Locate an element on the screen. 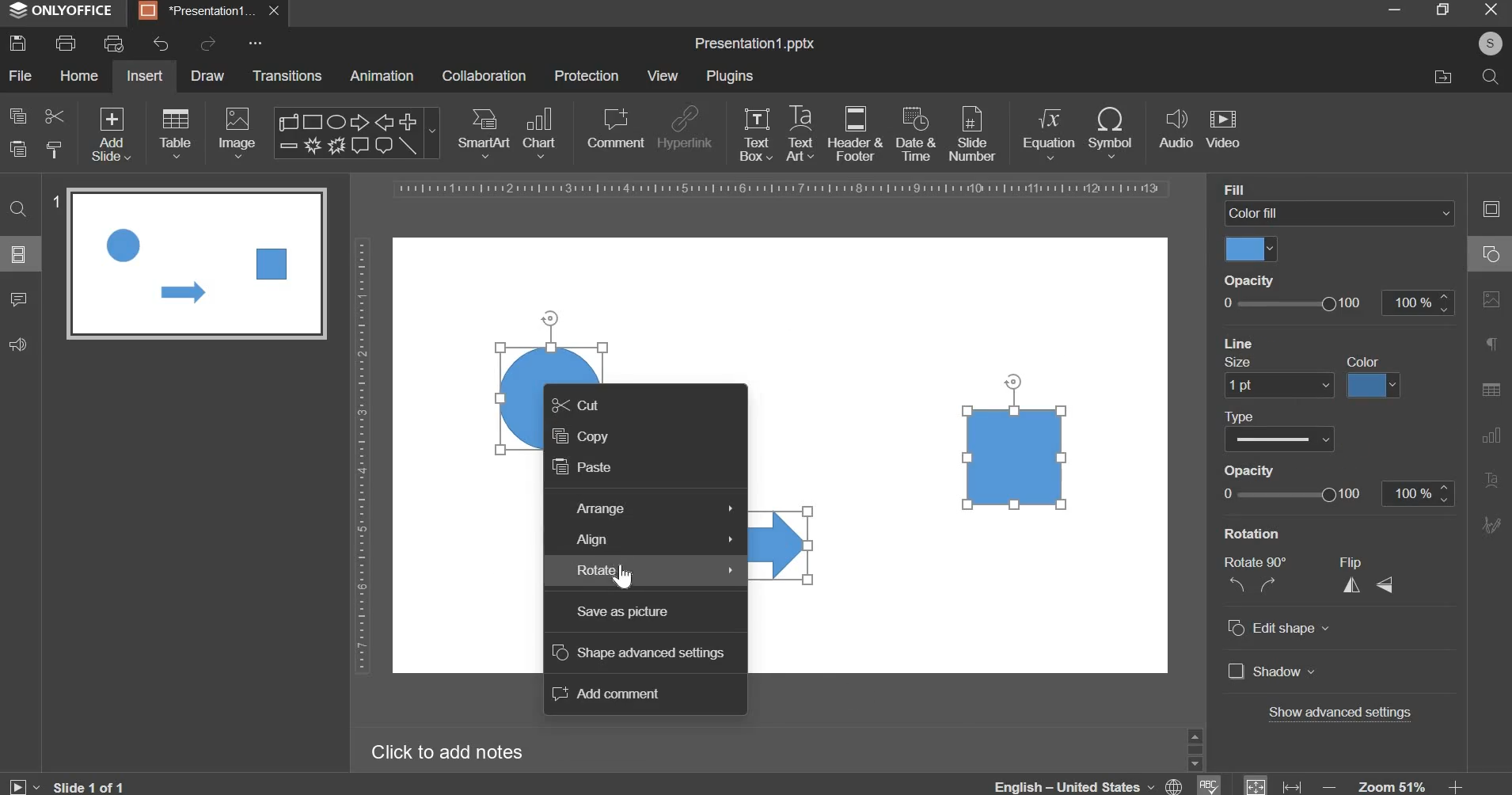  transitions is located at coordinates (288, 75).